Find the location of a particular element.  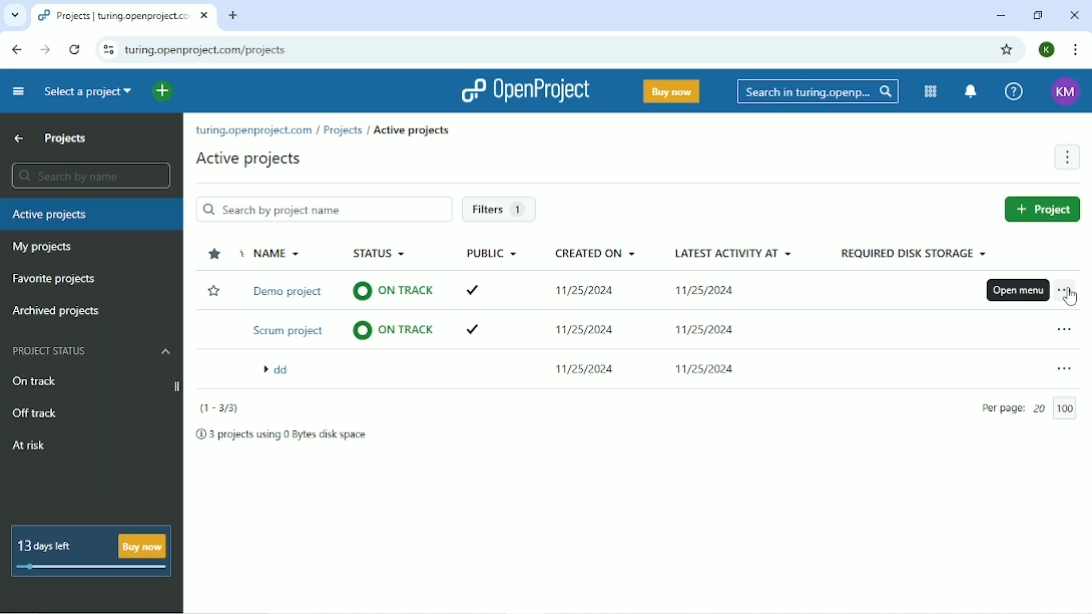

Projects | turing.openproject.com is located at coordinates (122, 17).